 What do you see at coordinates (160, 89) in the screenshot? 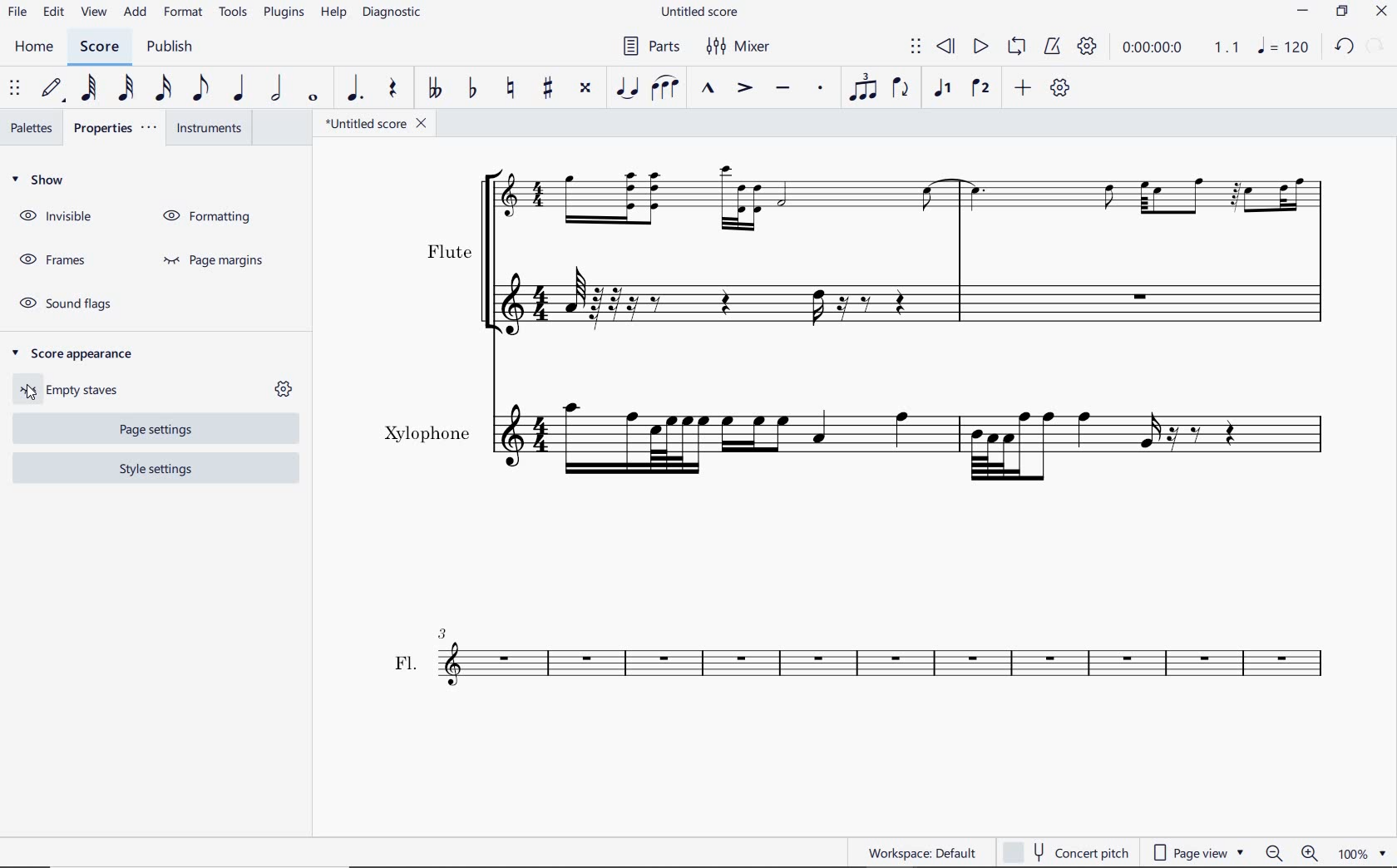
I see `16TH NOTE` at bounding box center [160, 89].